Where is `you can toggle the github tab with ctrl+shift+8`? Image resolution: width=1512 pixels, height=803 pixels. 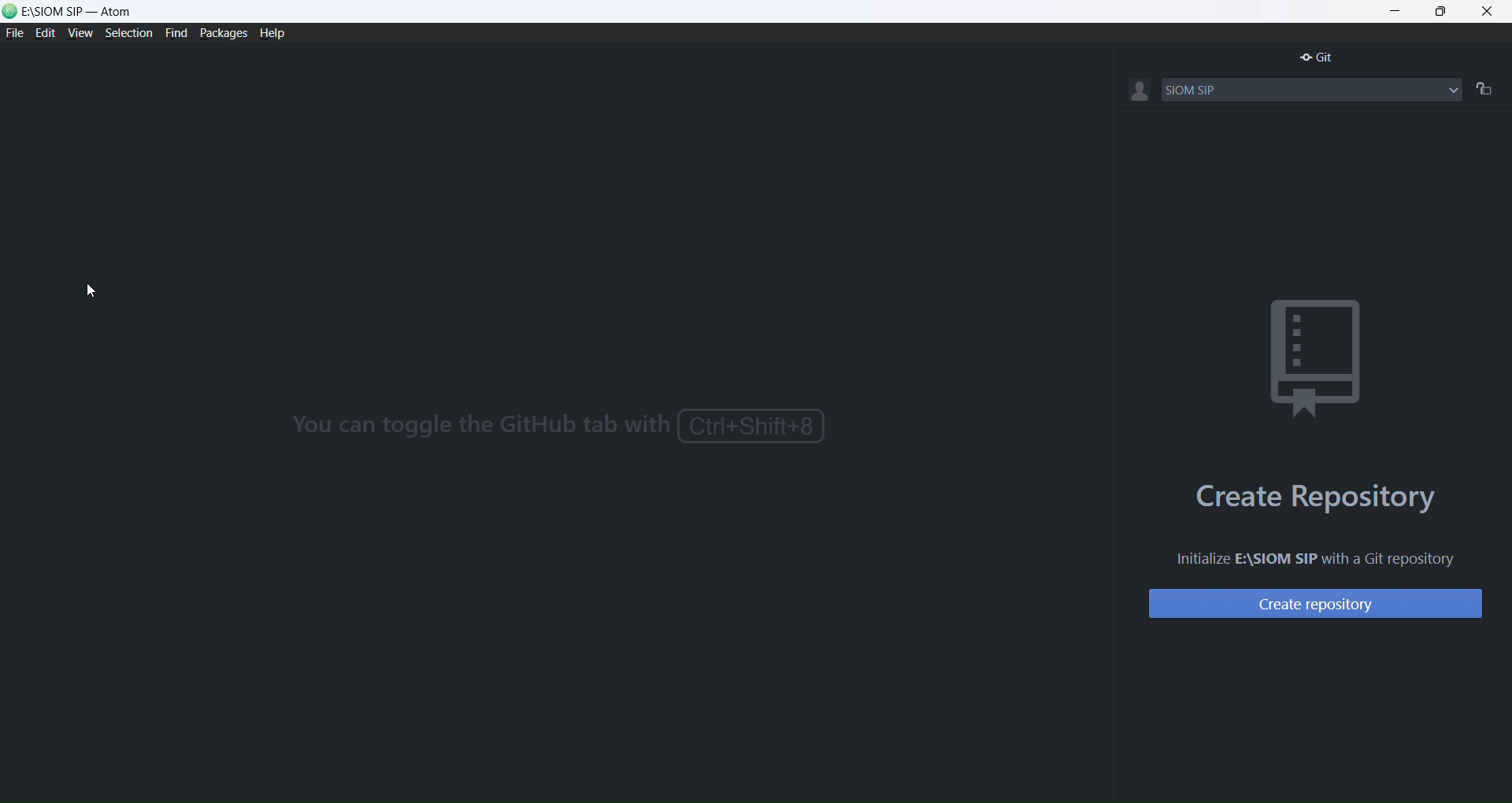
you can toggle the github tab with ctrl+shift+8 is located at coordinates (551, 427).